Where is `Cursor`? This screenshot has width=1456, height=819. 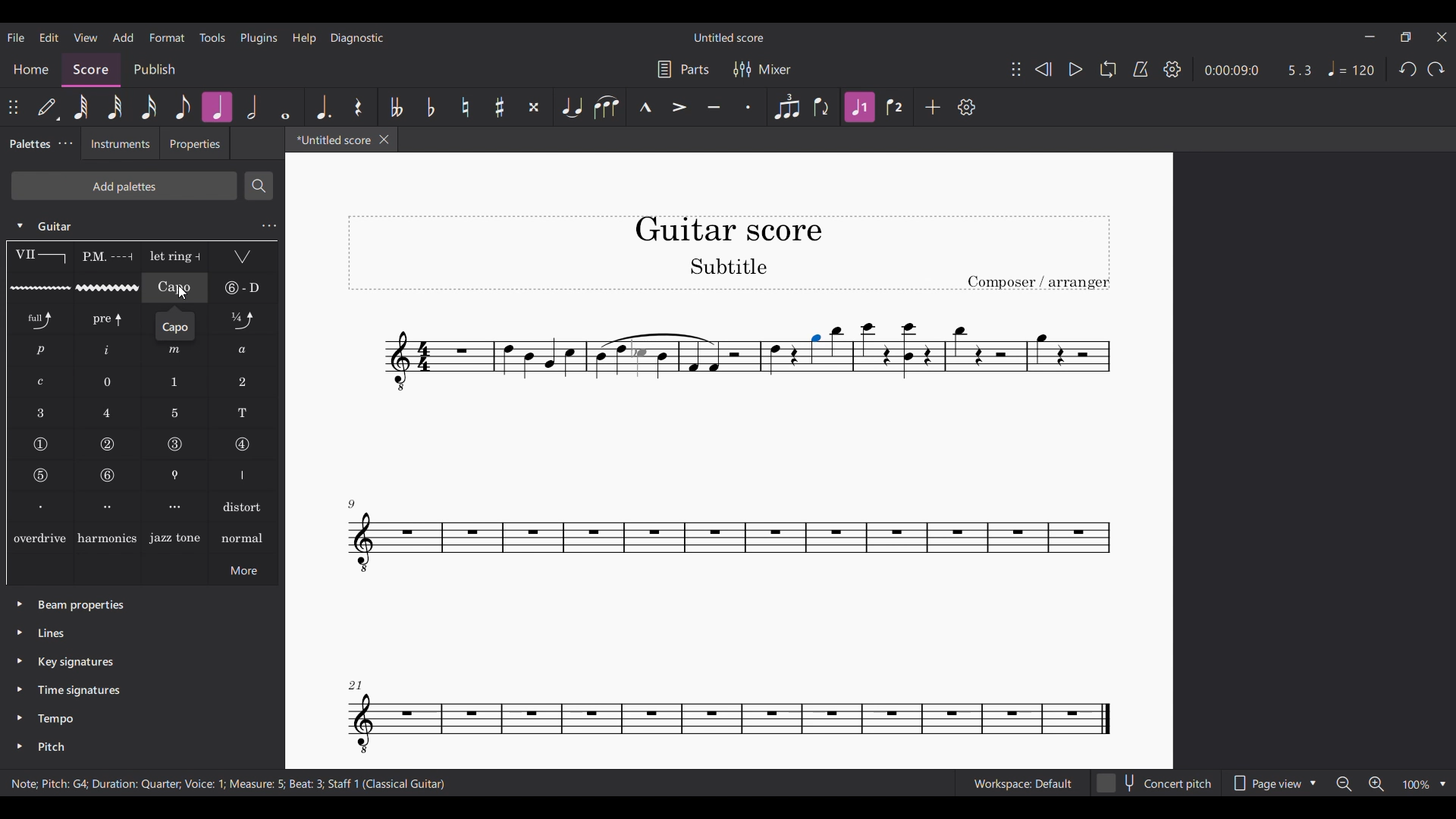
Cursor is located at coordinates (182, 293).